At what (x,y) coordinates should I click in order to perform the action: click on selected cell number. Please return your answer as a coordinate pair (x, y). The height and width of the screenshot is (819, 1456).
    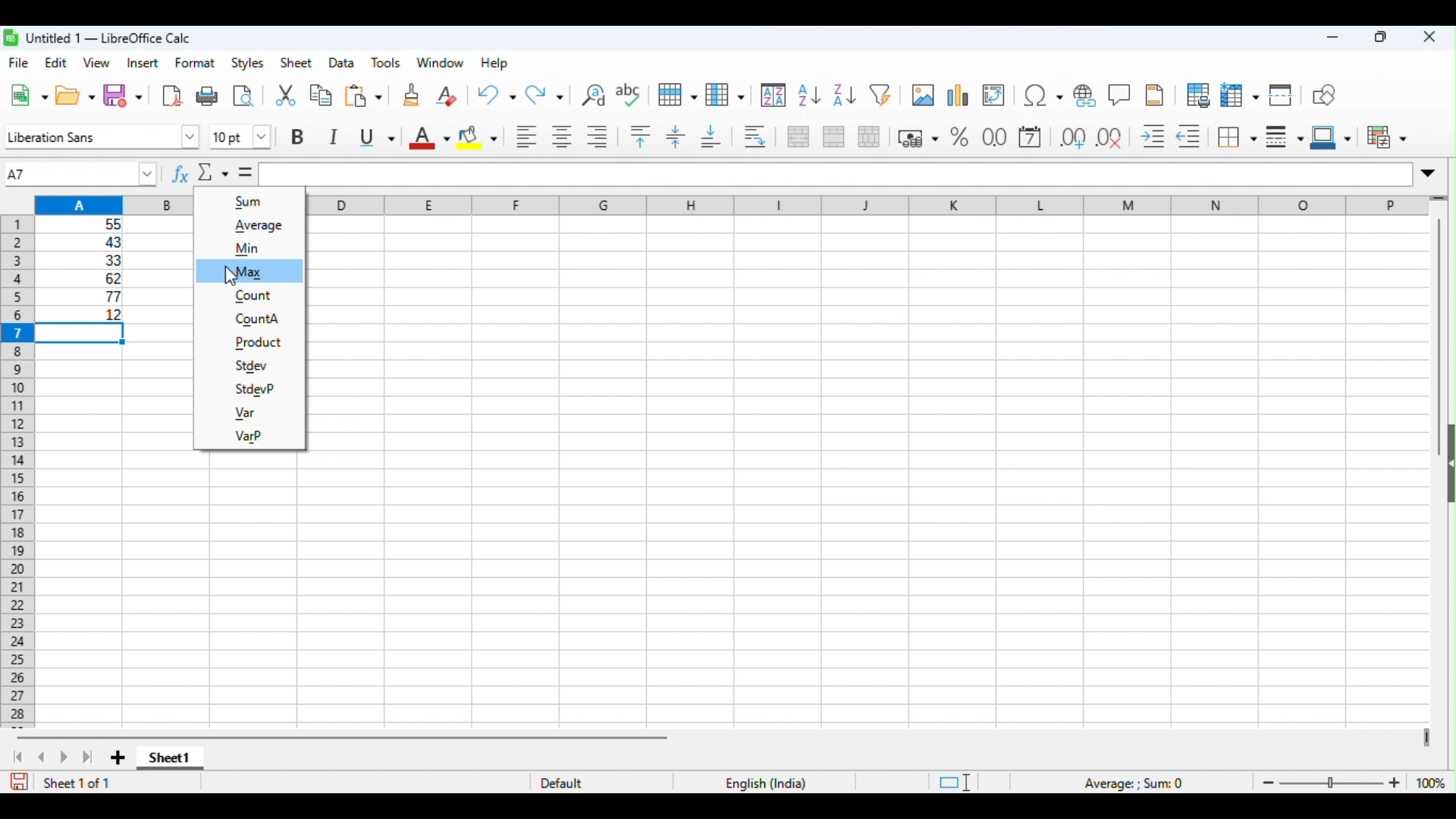
    Looking at the image, I should click on (67, 174).